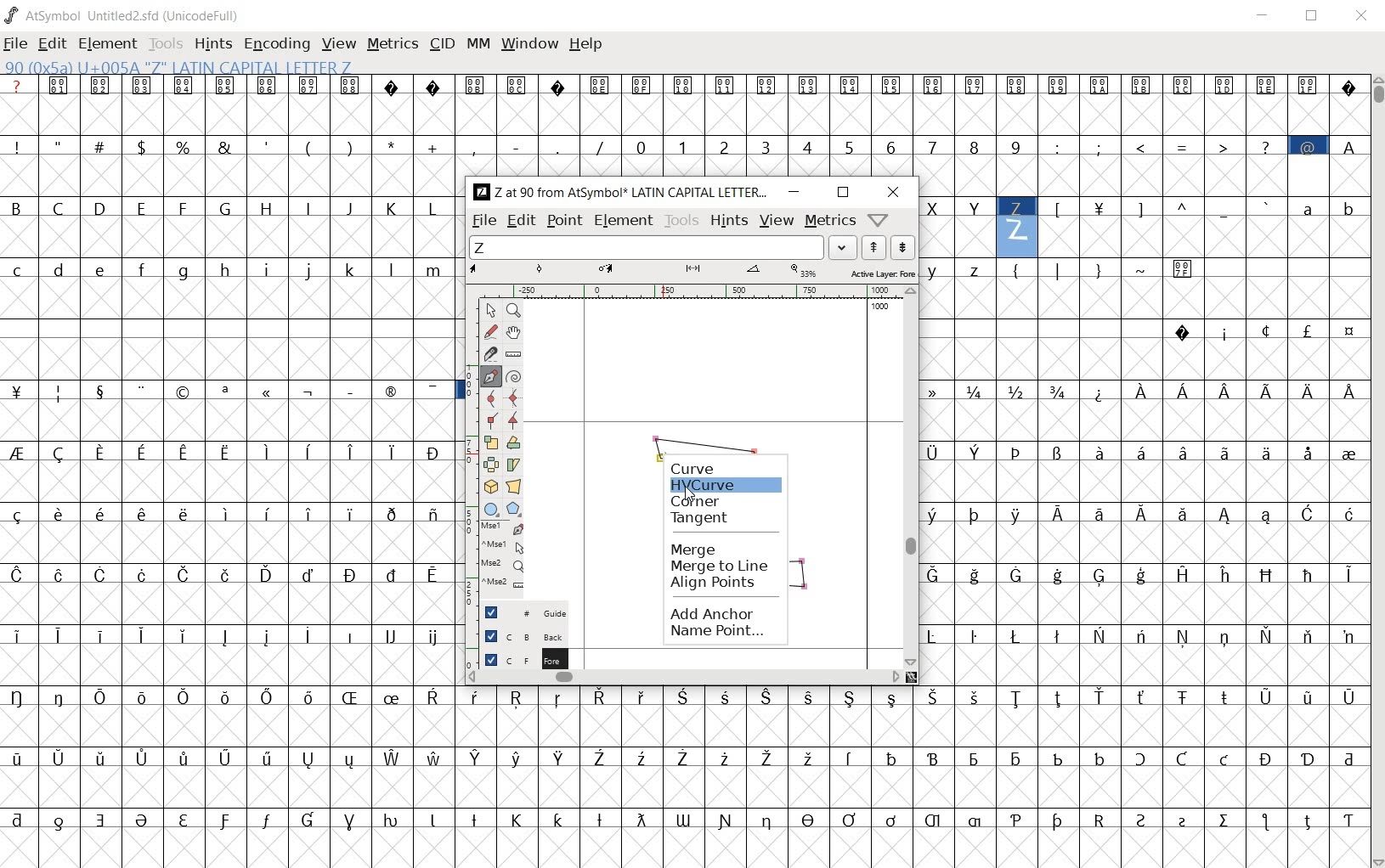  I want to click on polygon or star, so click(514, 510).